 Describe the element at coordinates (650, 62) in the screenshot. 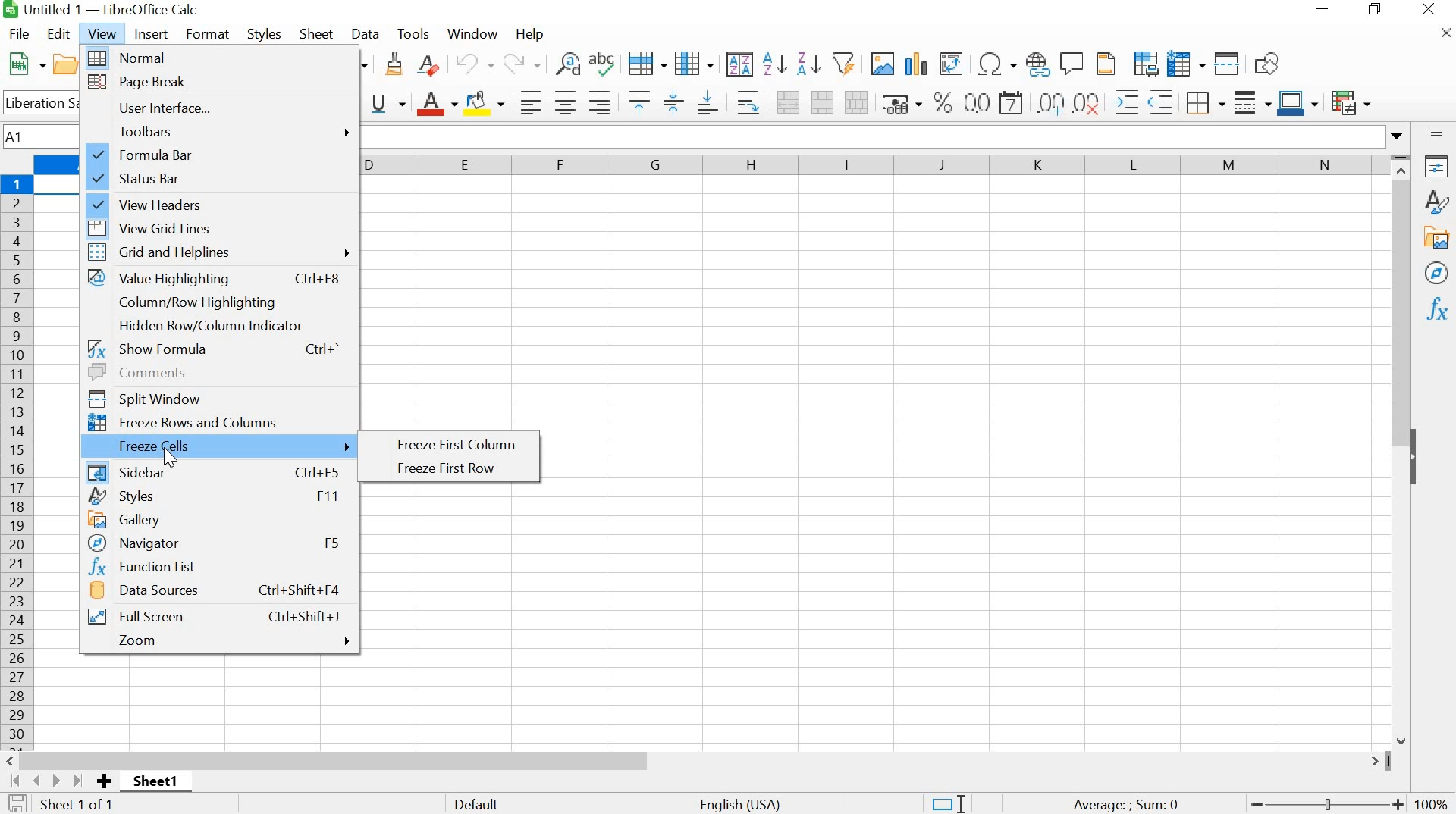

I see `ROW` at that location.